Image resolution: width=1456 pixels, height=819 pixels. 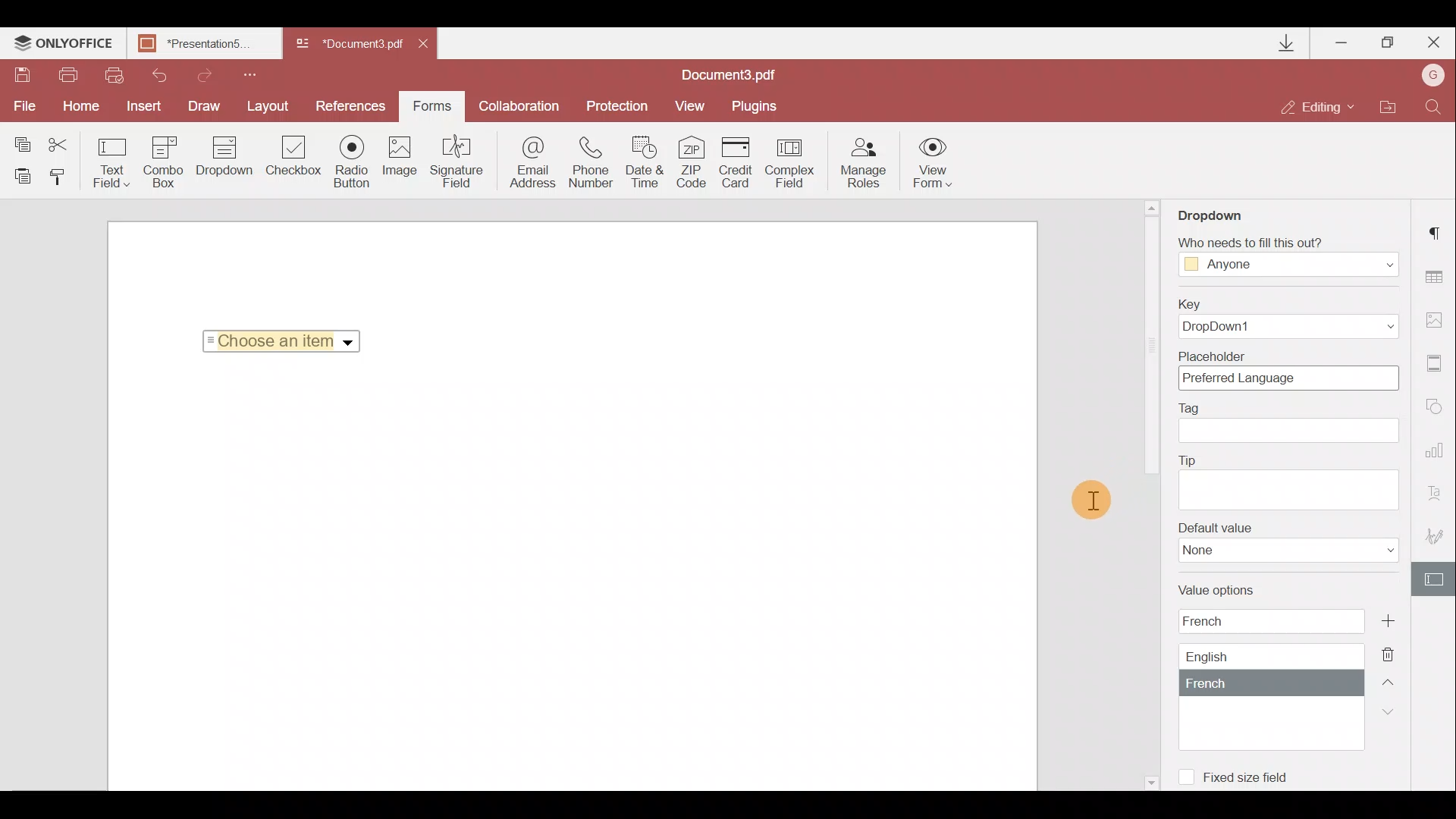 I want to click on Presentation5, so click(x=201, y=45).